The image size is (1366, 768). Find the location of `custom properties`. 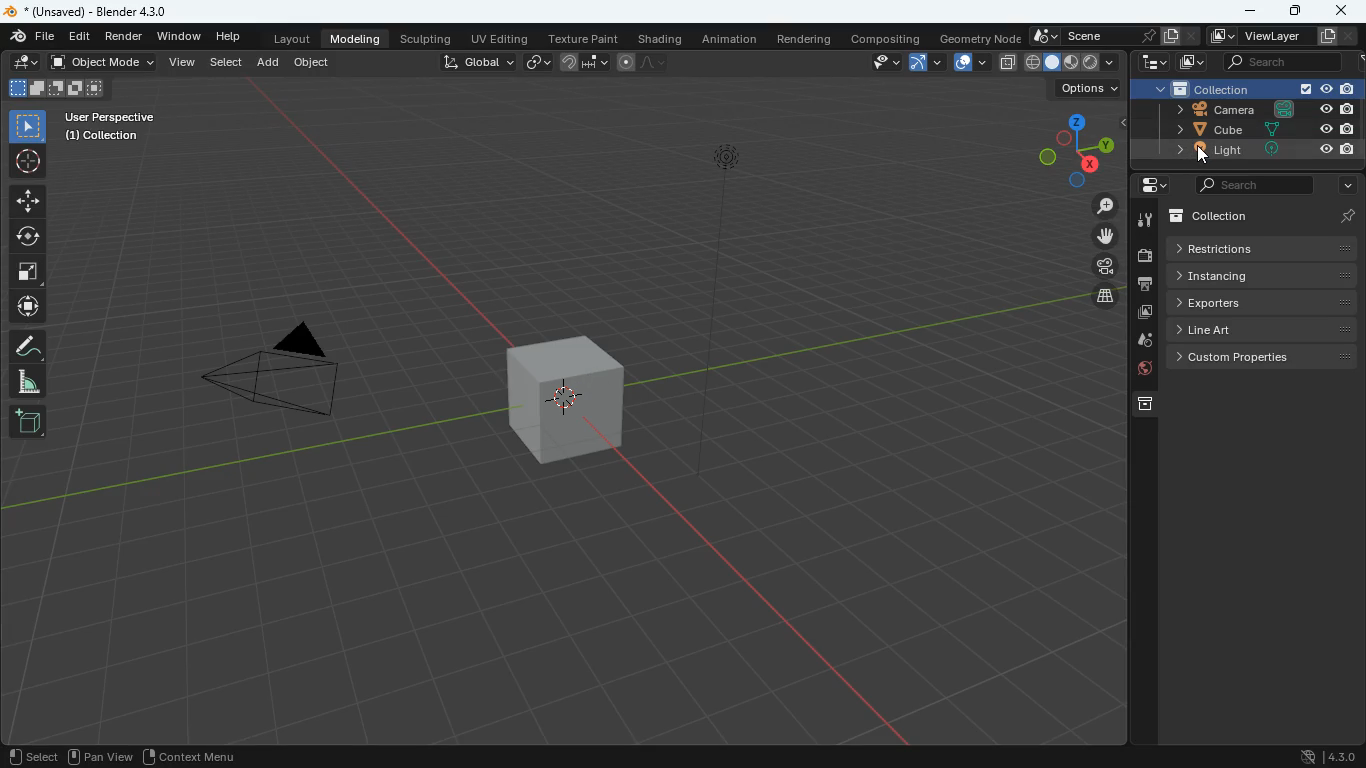

custom properties is located at coordinates (1263, 358).